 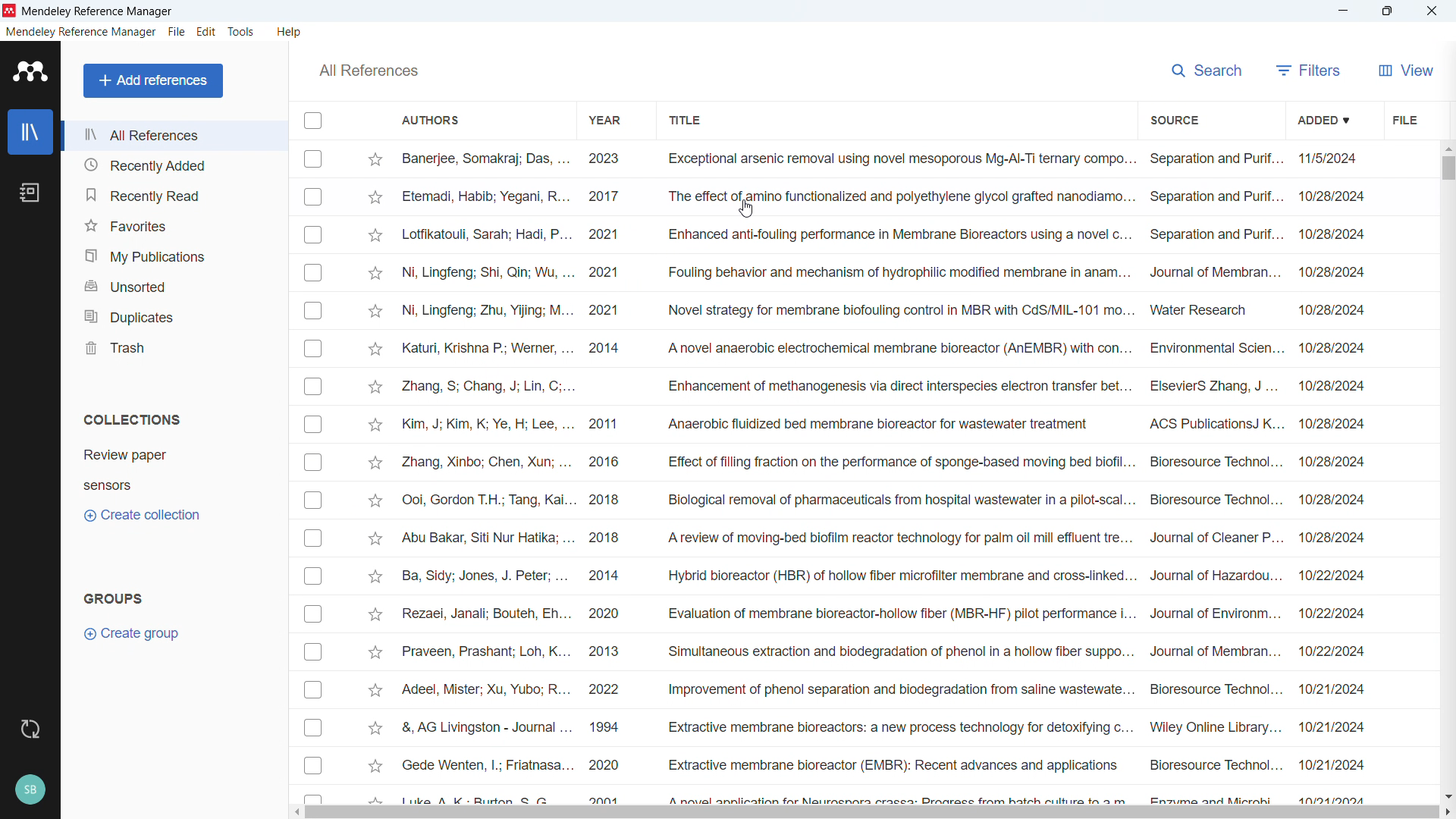 I want to click on help, so click(x=290, y=33).